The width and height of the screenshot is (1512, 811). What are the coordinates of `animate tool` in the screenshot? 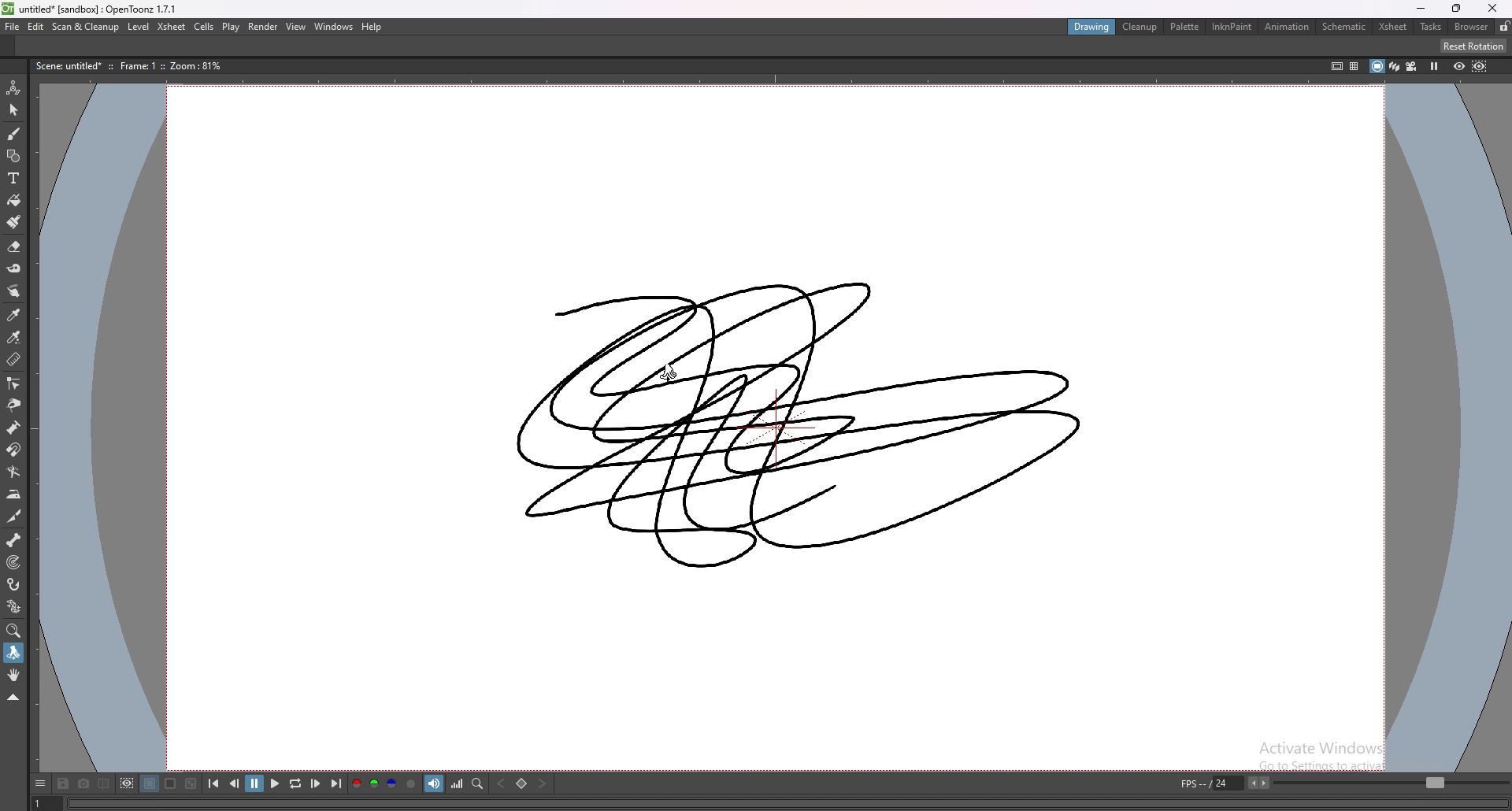 It's located at (13, 88).